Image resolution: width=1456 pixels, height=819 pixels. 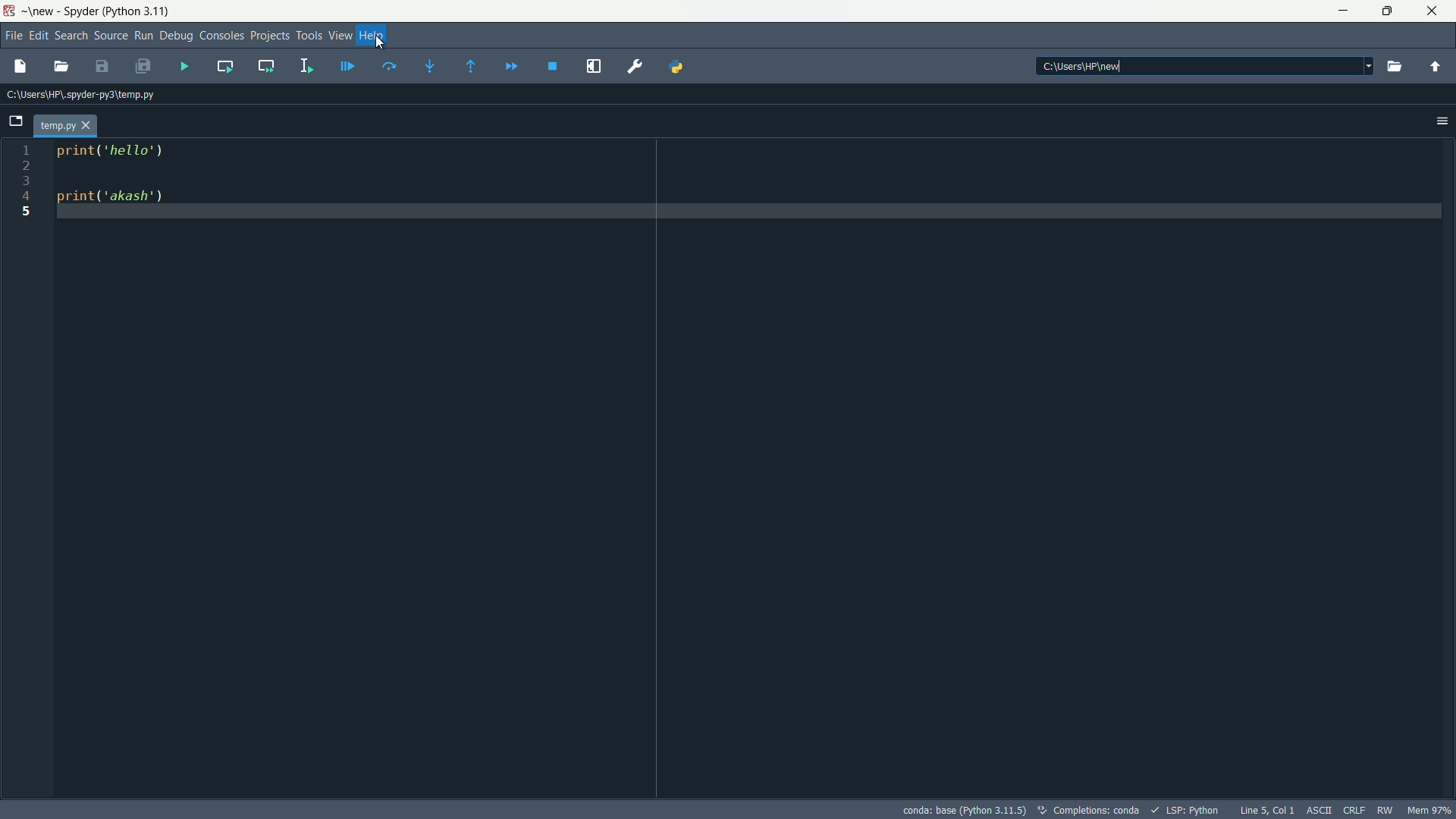 I want to click on Line 5, Col 1, so click(x=1266, y=810).